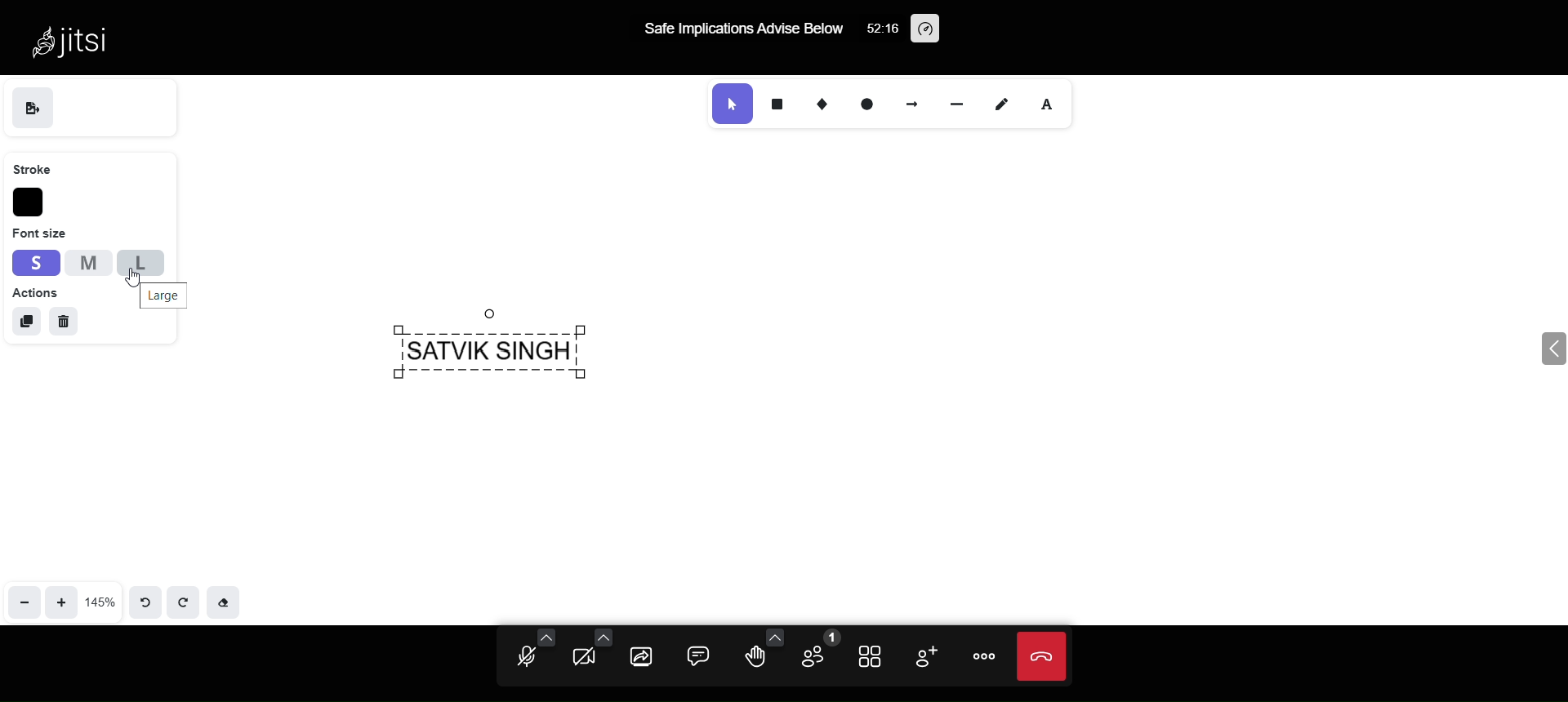  What do you see at coordinates (138, 264) in the screenshot?
I see `Large` at bounding box center [138, 264].